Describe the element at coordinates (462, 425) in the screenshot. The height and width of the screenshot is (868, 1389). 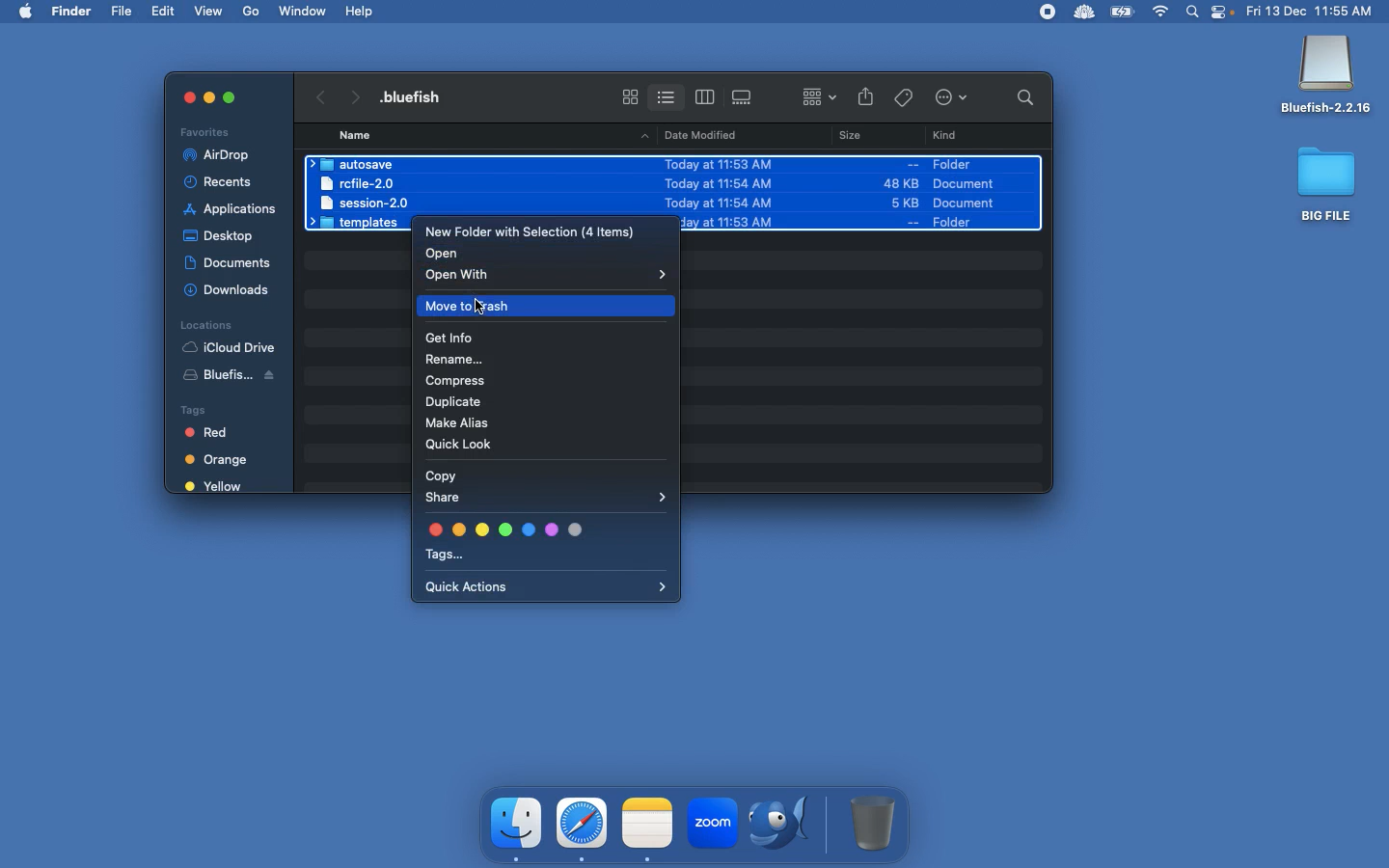
I see `Make aliases` at that location.